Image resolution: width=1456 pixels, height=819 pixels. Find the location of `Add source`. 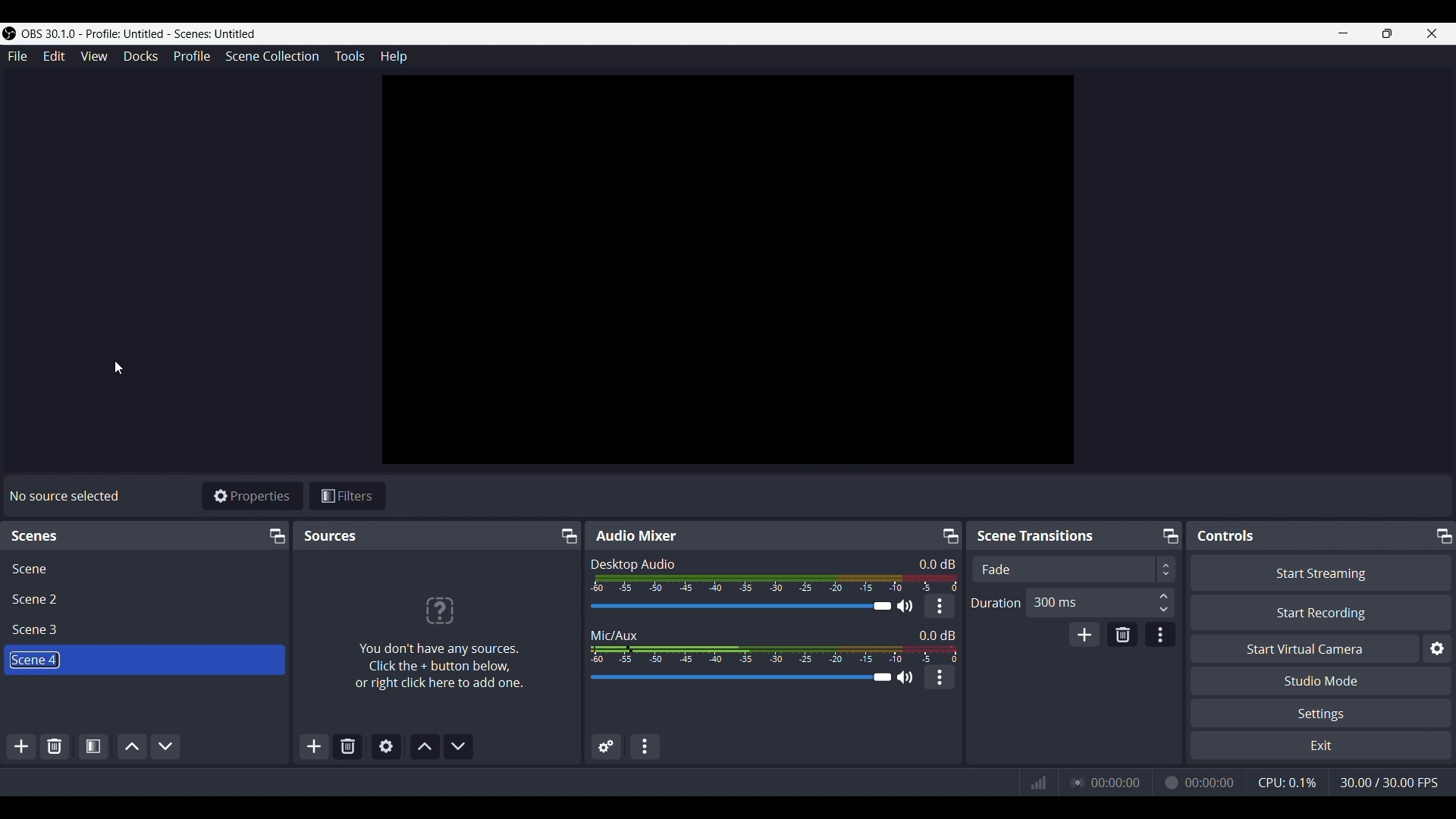

Add source is located at coordinates (315, 745).